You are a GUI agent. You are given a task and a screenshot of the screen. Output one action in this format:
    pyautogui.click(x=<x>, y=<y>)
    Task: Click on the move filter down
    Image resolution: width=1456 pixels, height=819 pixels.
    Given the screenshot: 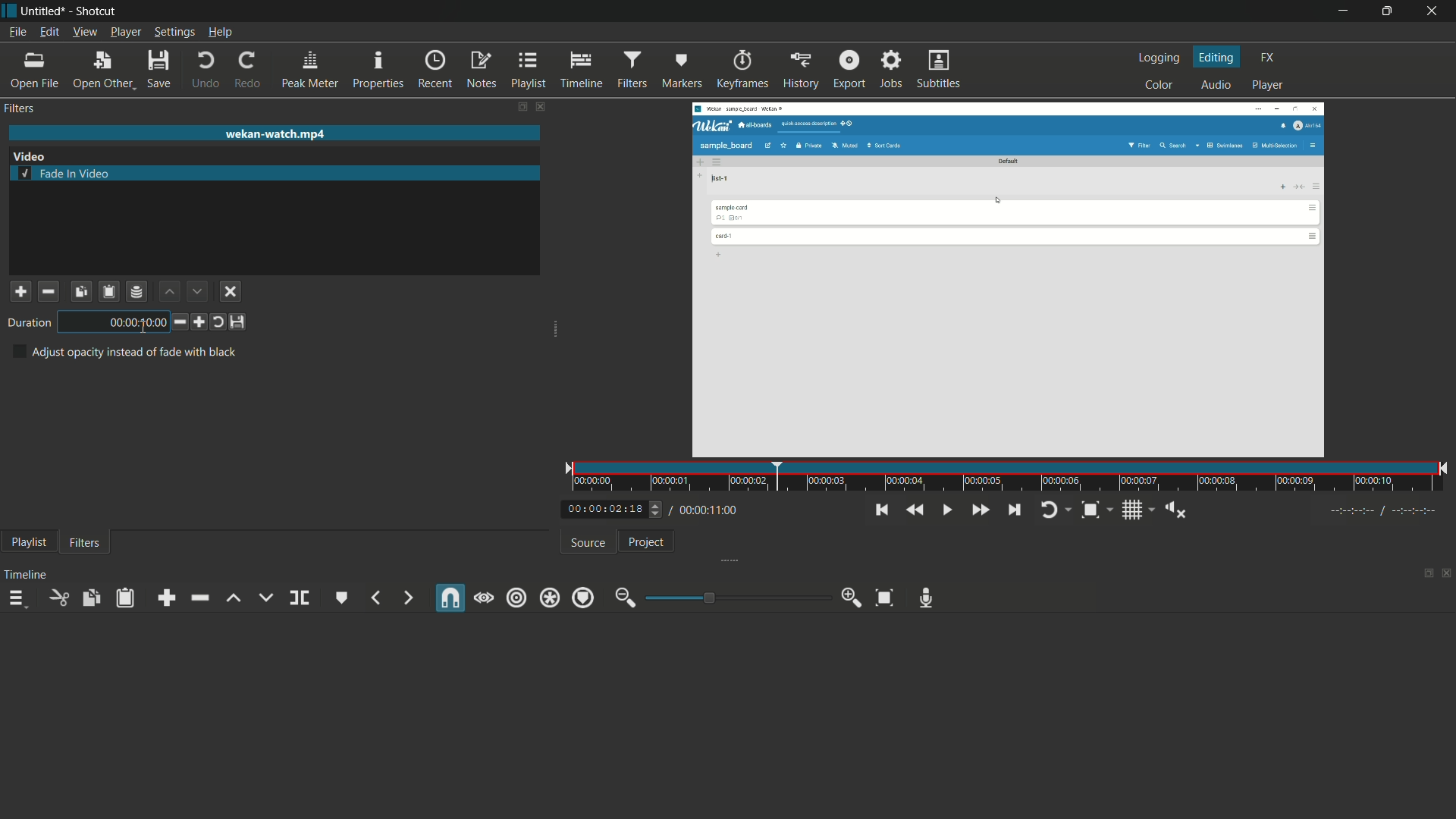 What is the action you would take?
    pyautogui.click(x=197, y=291)
    